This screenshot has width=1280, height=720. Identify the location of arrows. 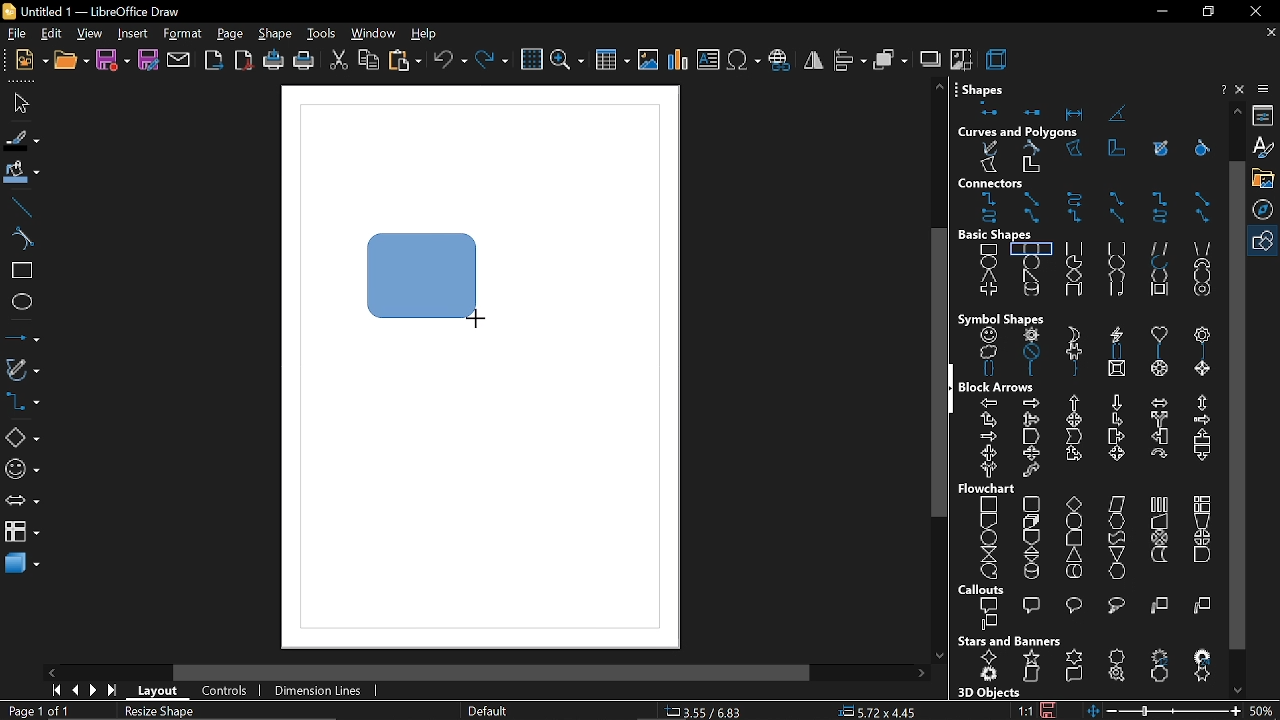
(21, 503).